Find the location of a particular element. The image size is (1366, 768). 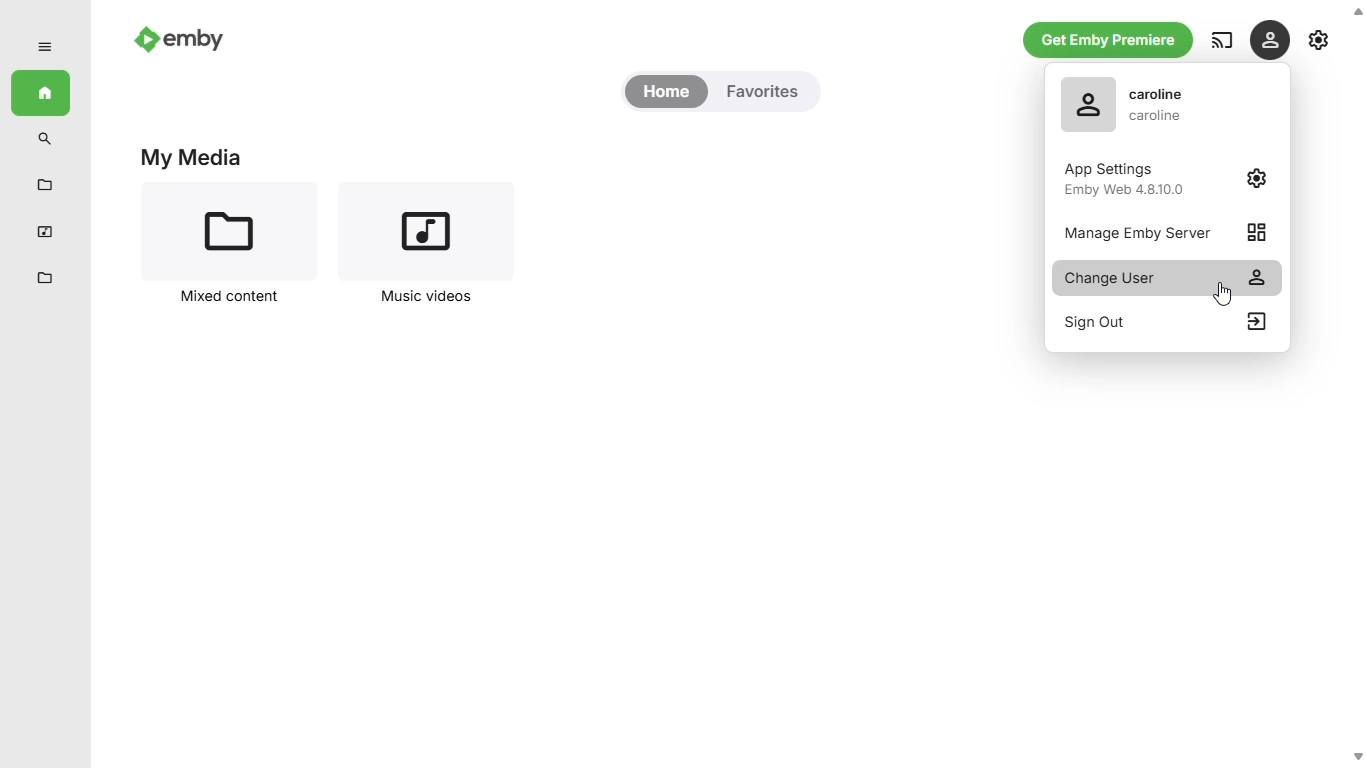

my media is located at coordinates (192, 157).